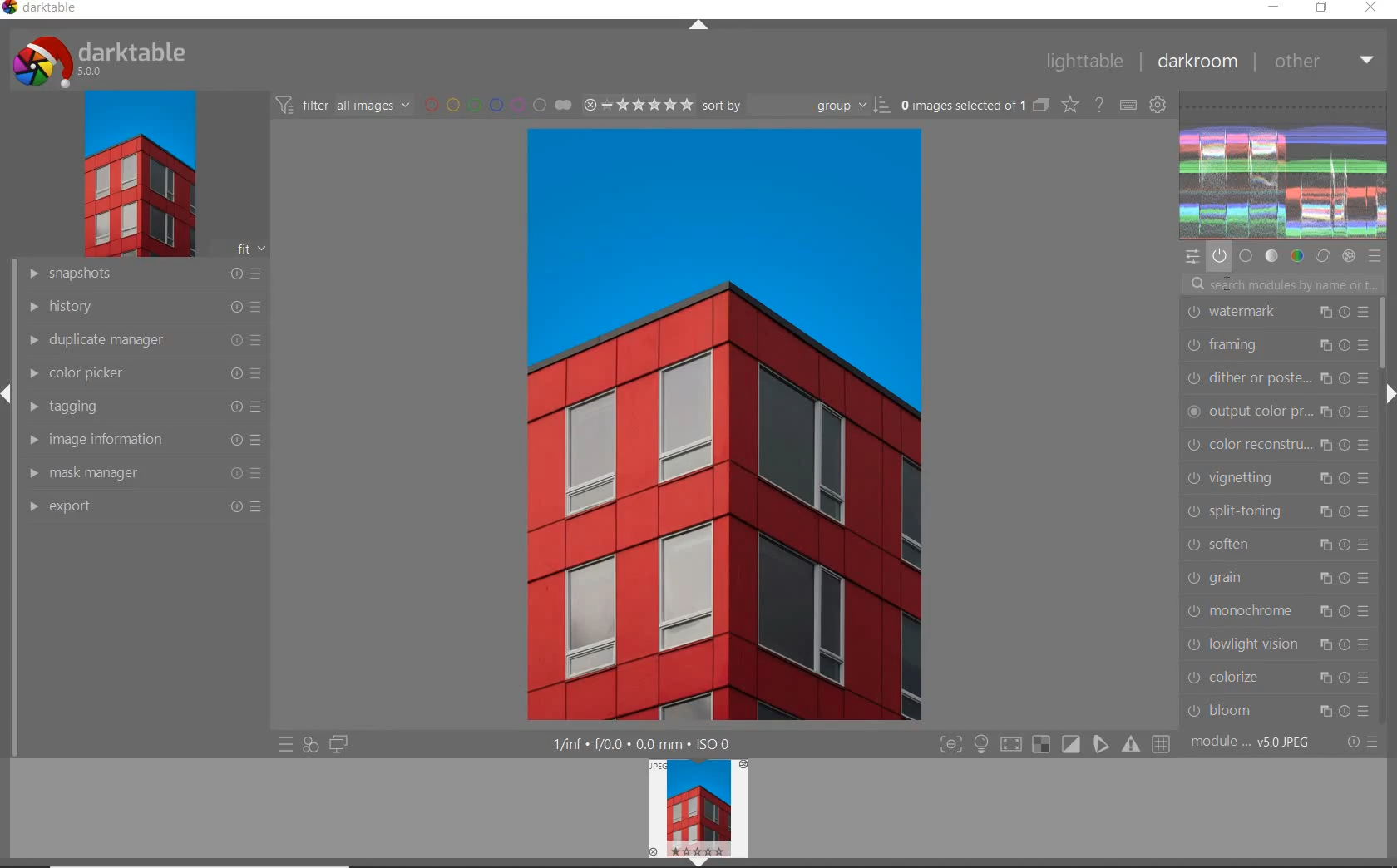 The width and height of the screenshot is (1397, 868). I want to click on quick access for applying any of your style, so click(310, 745).